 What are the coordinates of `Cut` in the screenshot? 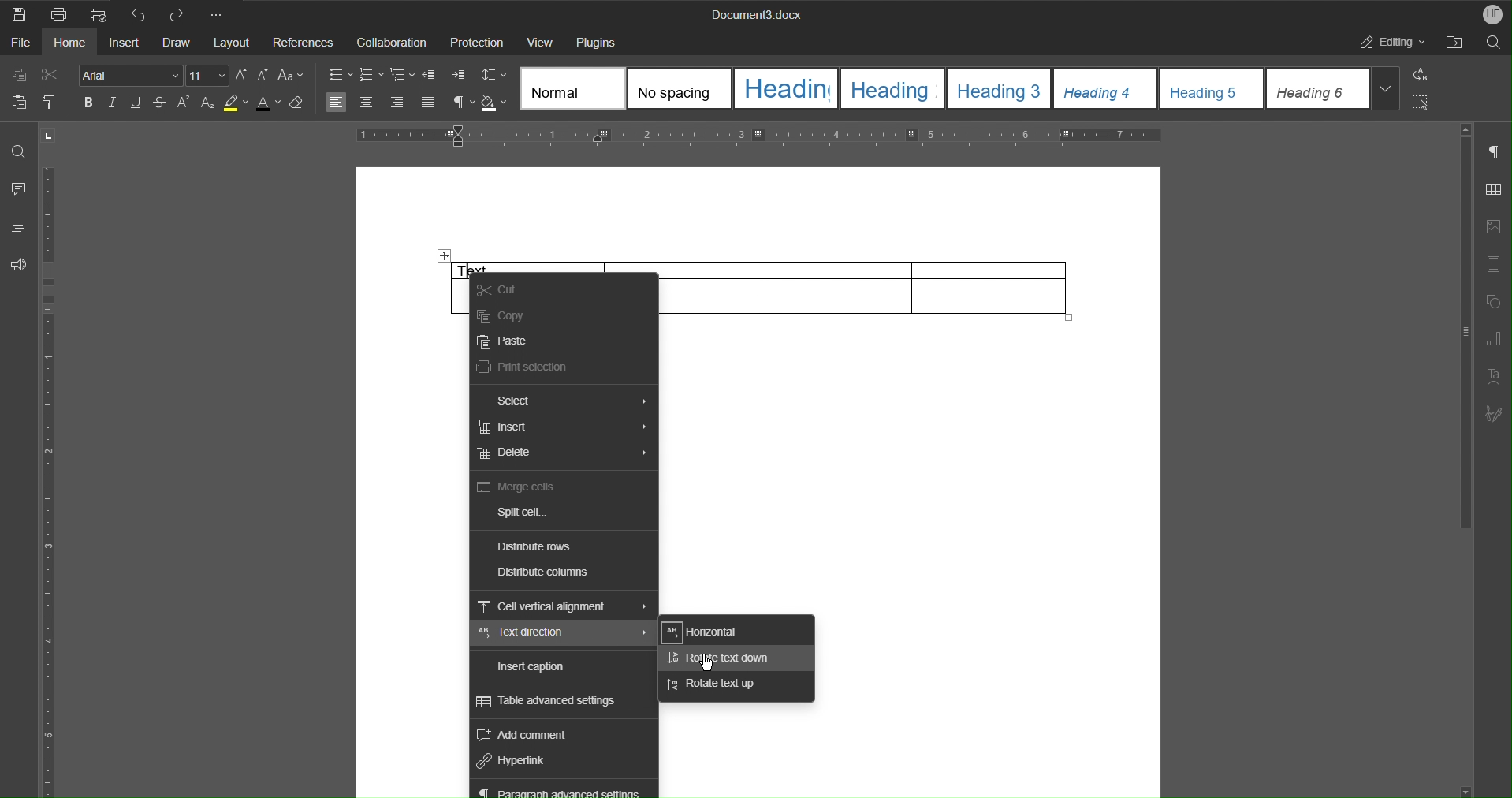 It's located at (49, 75).